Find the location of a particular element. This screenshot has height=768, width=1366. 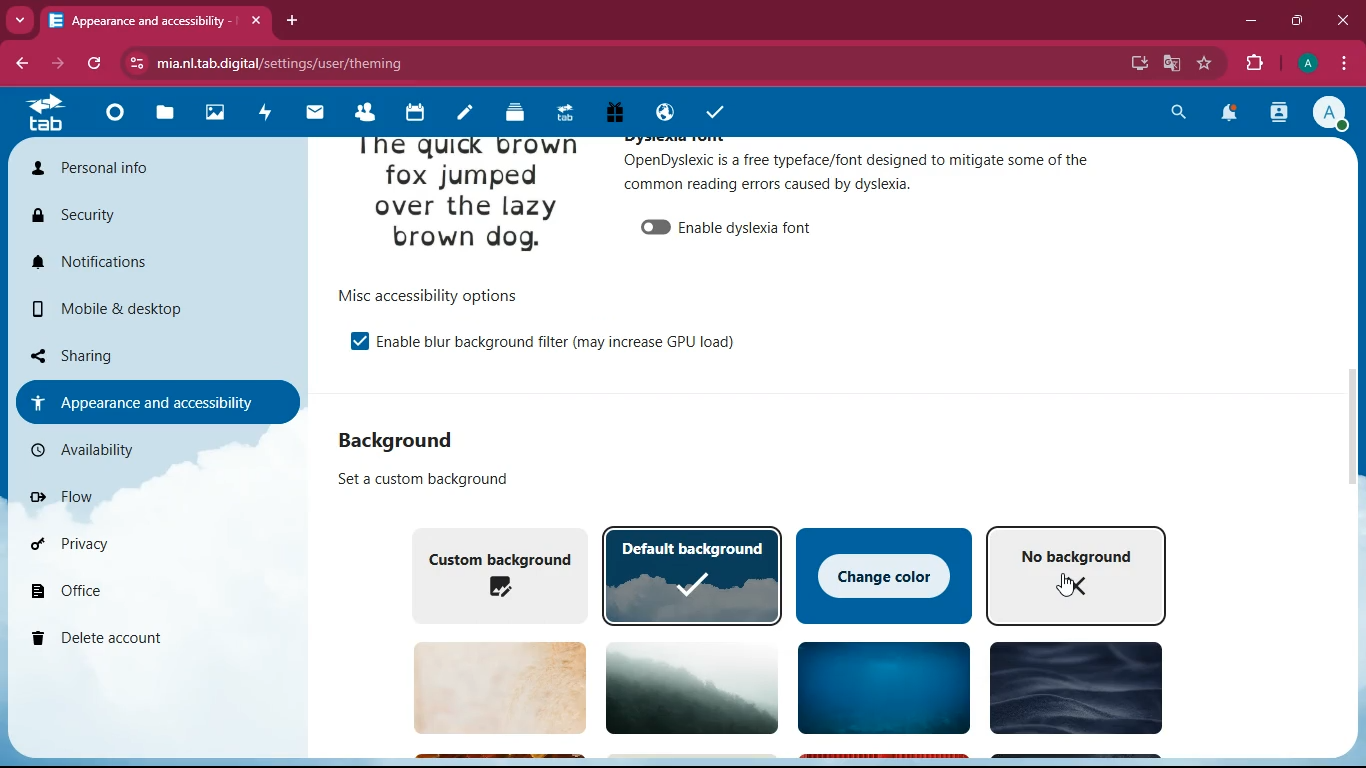

more is located at coordinates (22, 18).